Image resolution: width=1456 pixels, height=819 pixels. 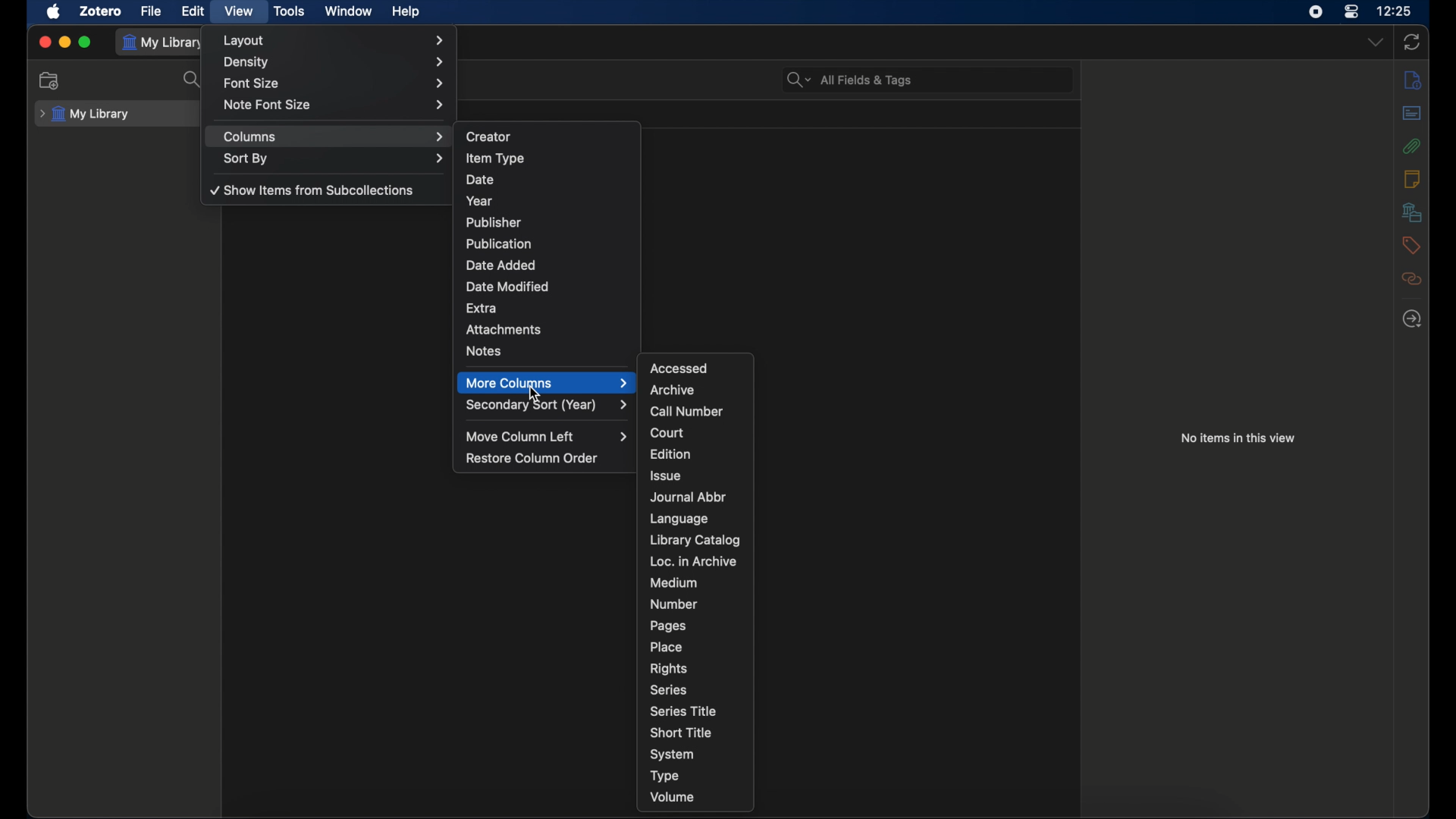 I want to click on journal abbr, so click(x=687, y=497).